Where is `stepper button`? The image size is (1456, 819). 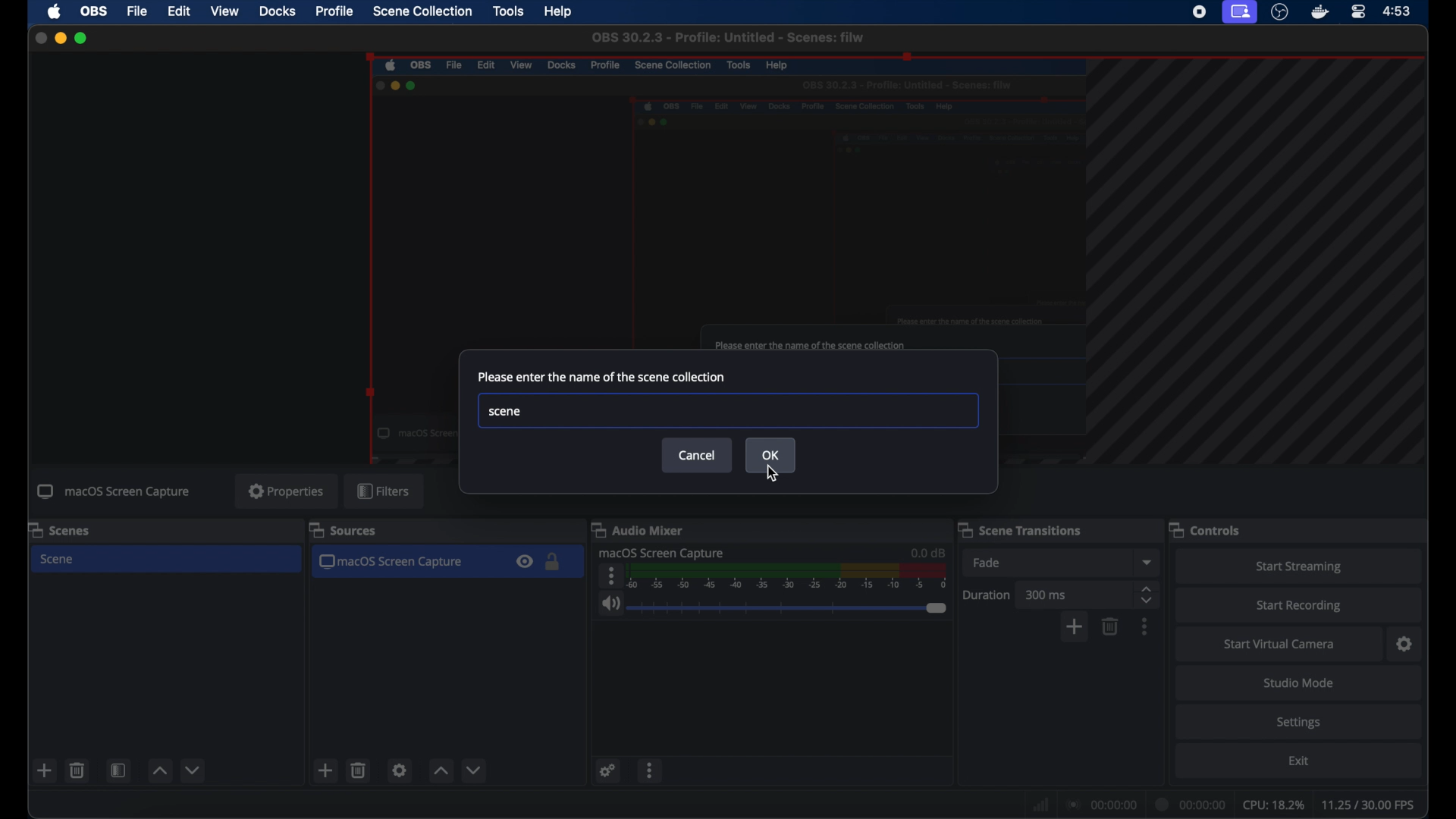
stepper button is located at coordinates (1147, 594).